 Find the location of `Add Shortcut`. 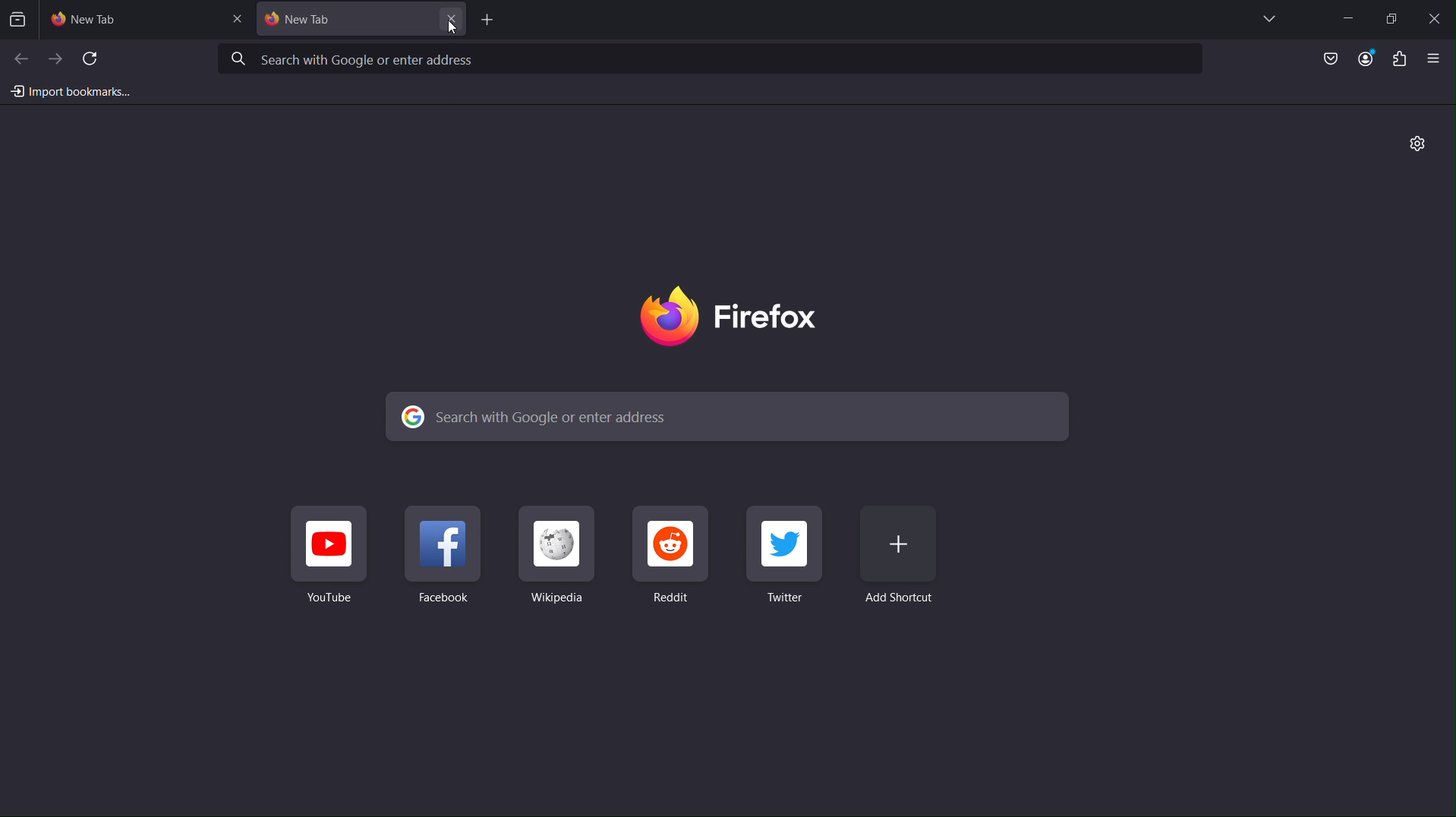

Add Shortcut is located at coordinates (909, 563).